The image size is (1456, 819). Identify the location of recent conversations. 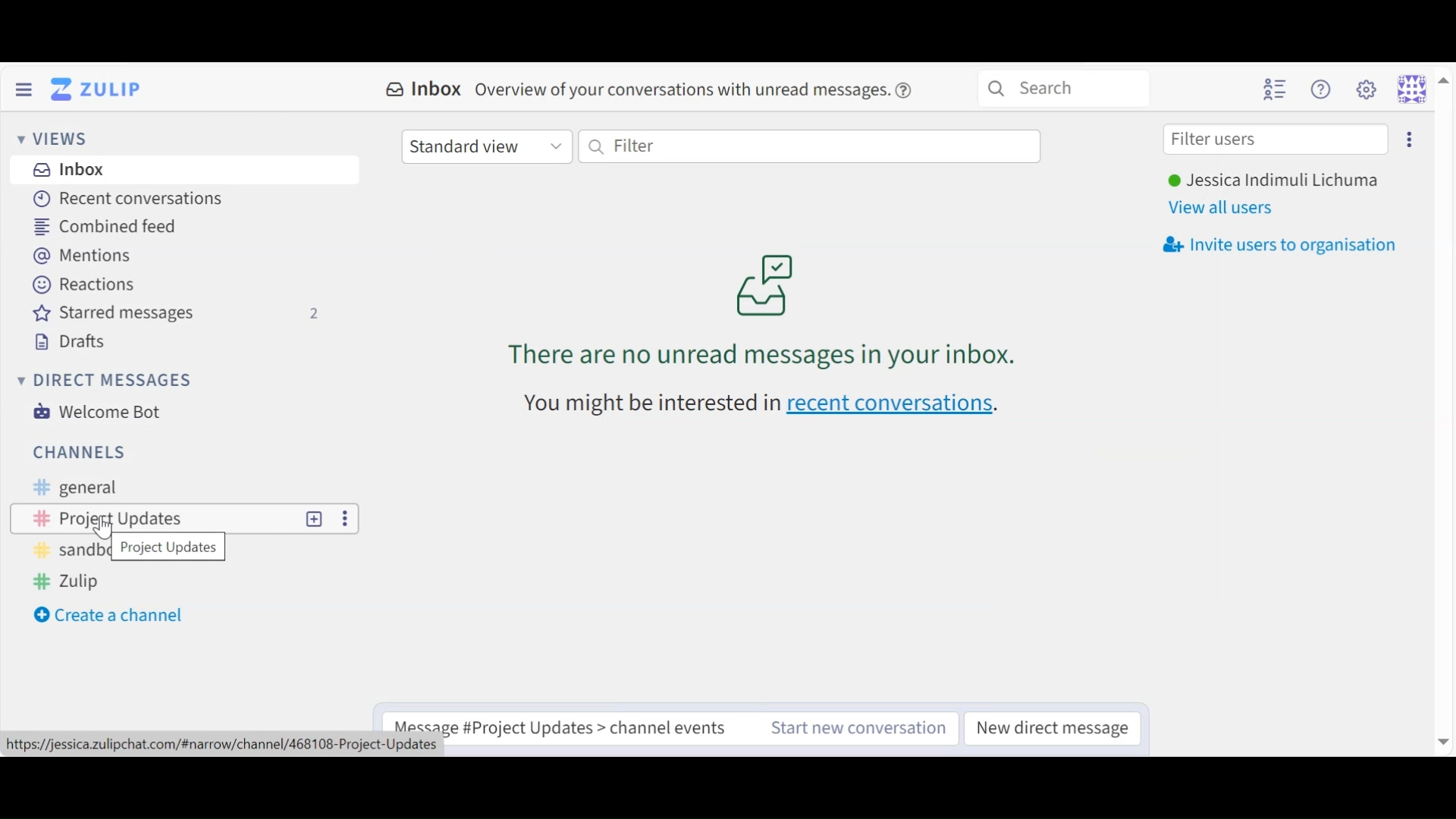
(893, 405).